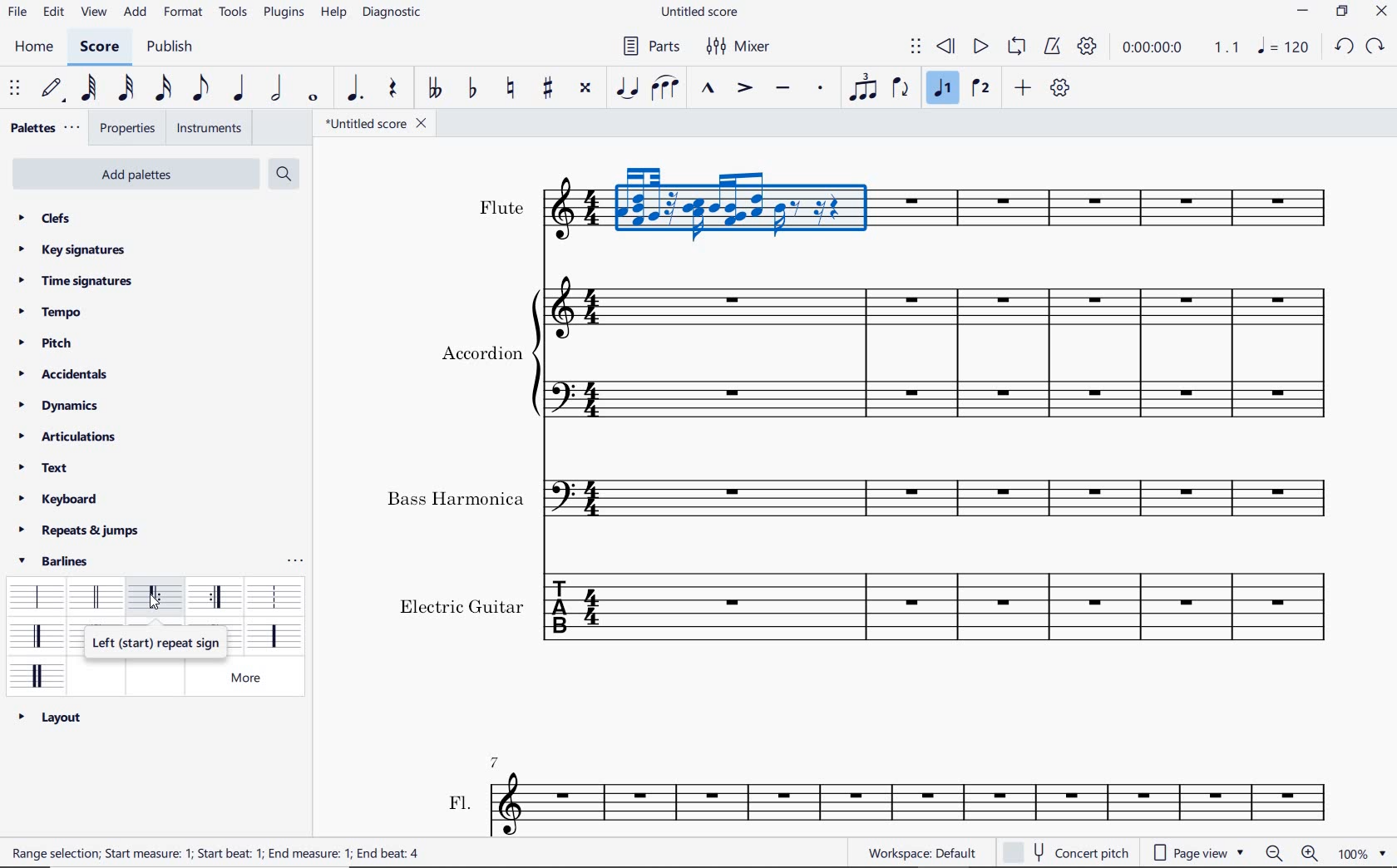 The width and height of the screenshot is (1397, 868). I want to click on toggle double-sharp, so click(585, 88).